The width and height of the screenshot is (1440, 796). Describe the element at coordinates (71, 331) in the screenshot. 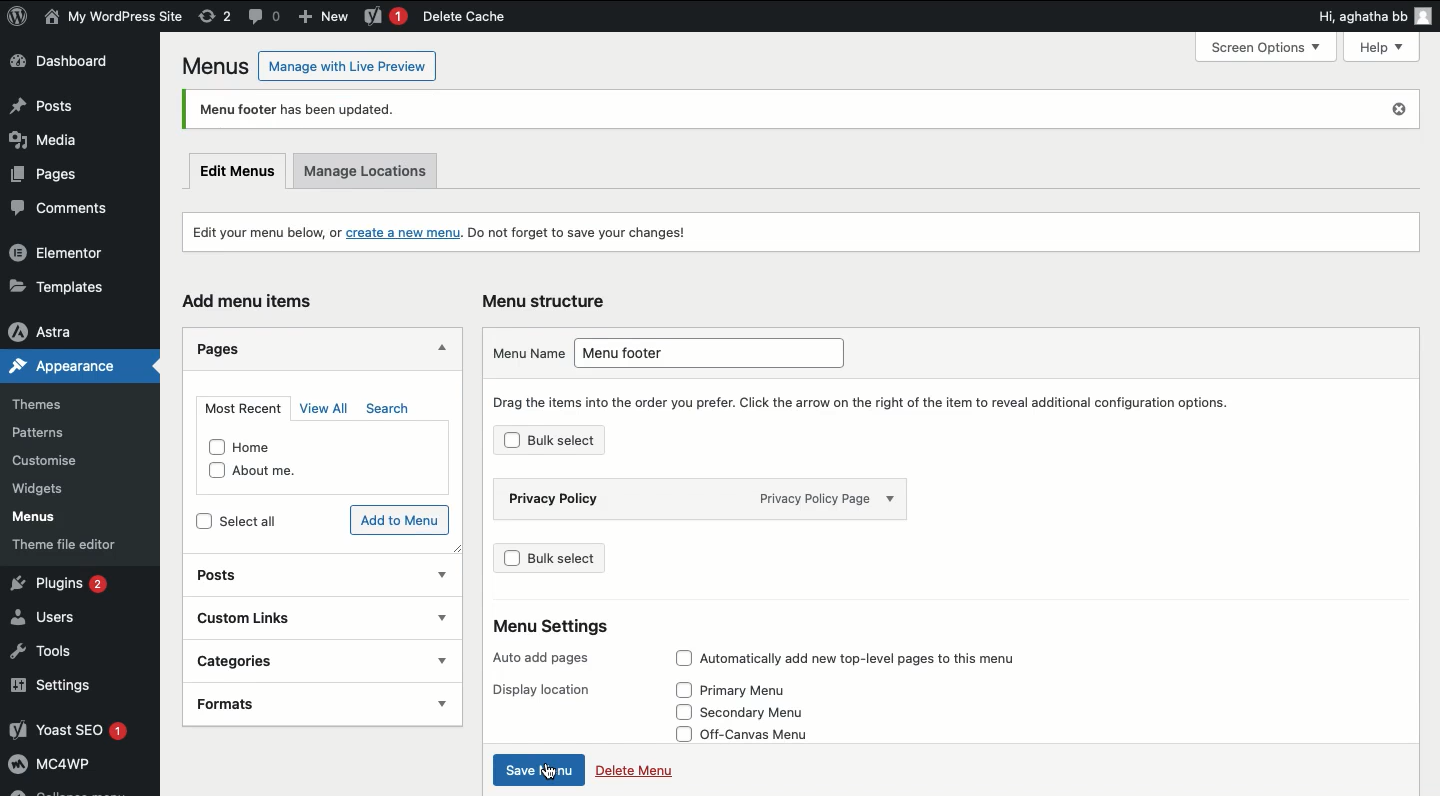

I see `Astra` at that location.